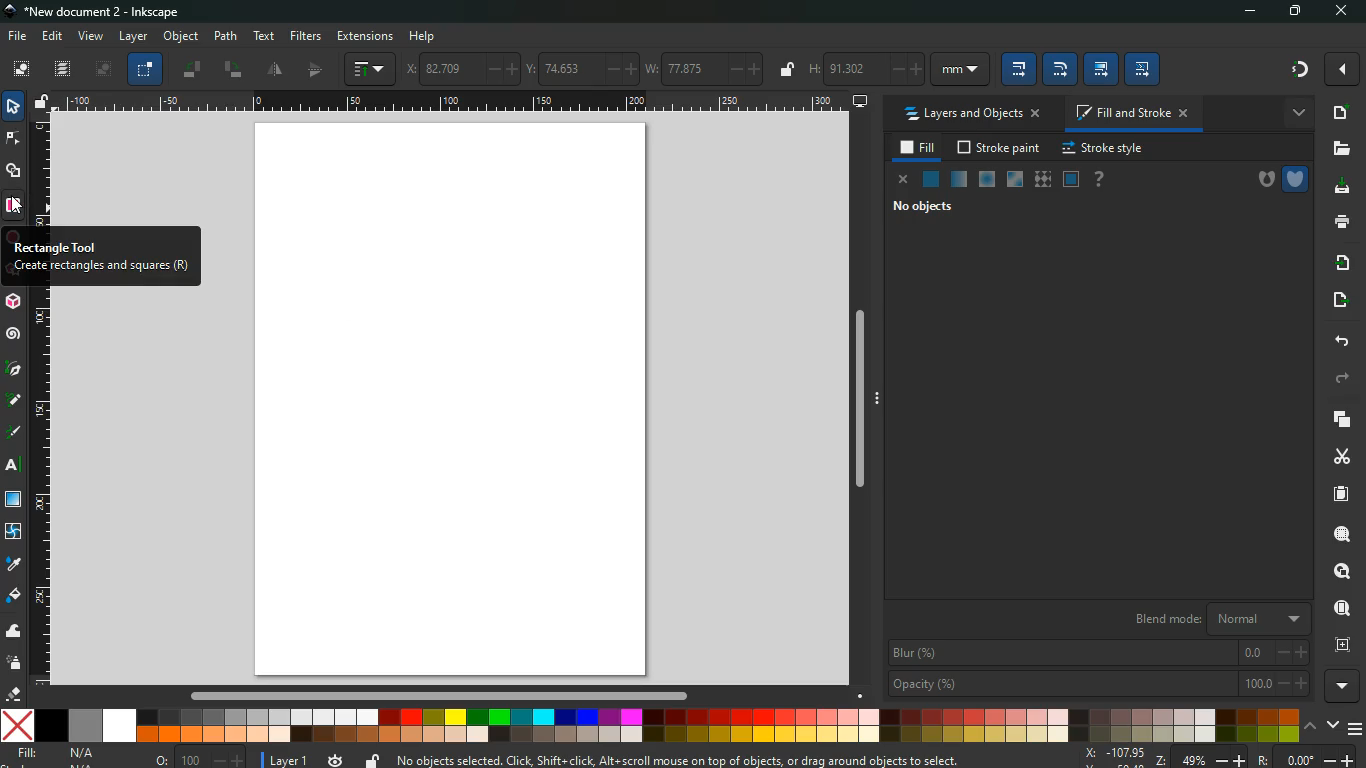  What do you see at coordinates (987, 180) in the screenshot?
I see `ice` at bounding box center [987, 180].